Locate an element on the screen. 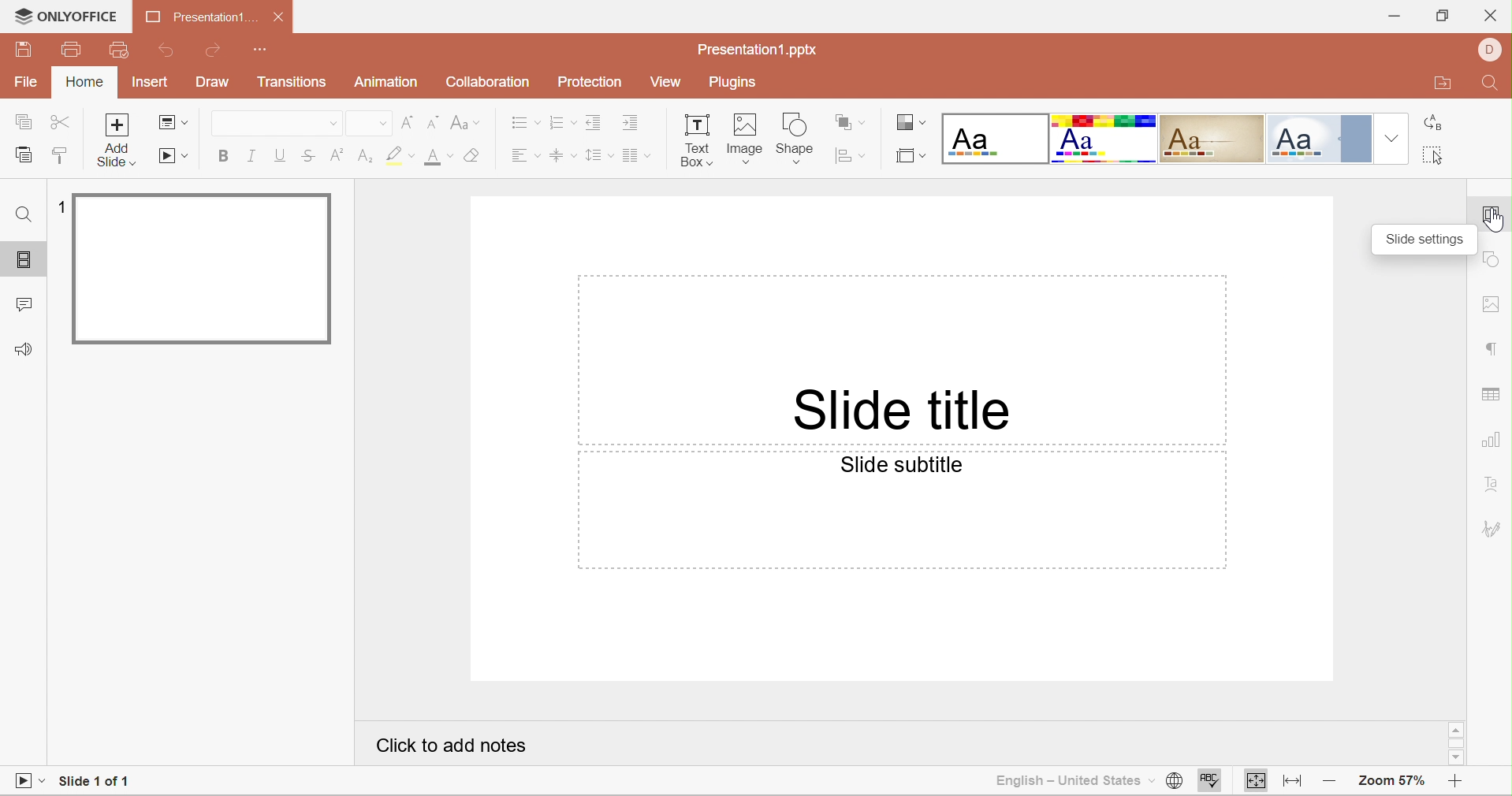 Image resolution: width=1512 pixels, height=796 pixels. Basic is located at coordinates (1105, 138).